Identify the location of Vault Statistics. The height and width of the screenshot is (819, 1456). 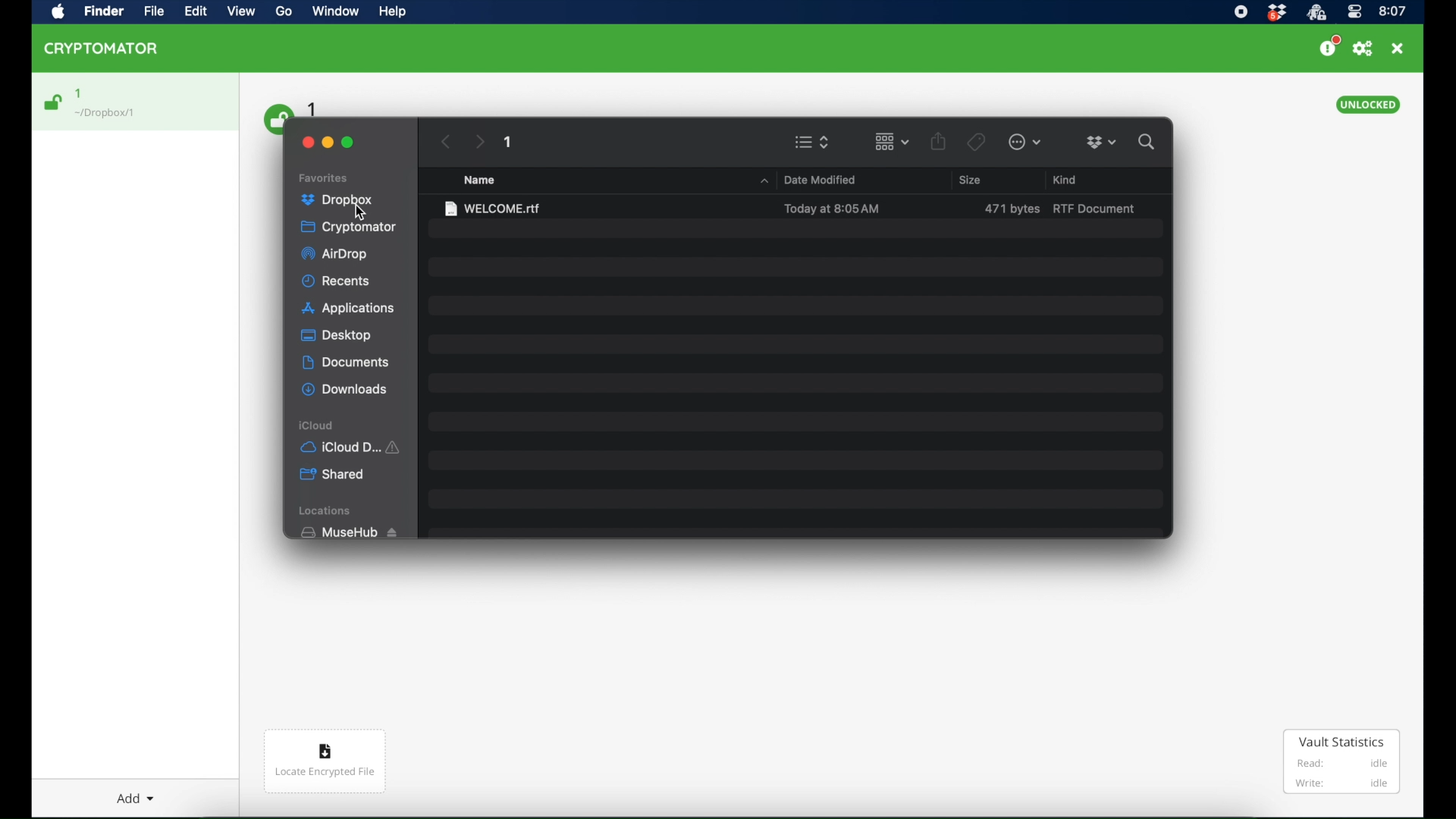
(1342, 765).